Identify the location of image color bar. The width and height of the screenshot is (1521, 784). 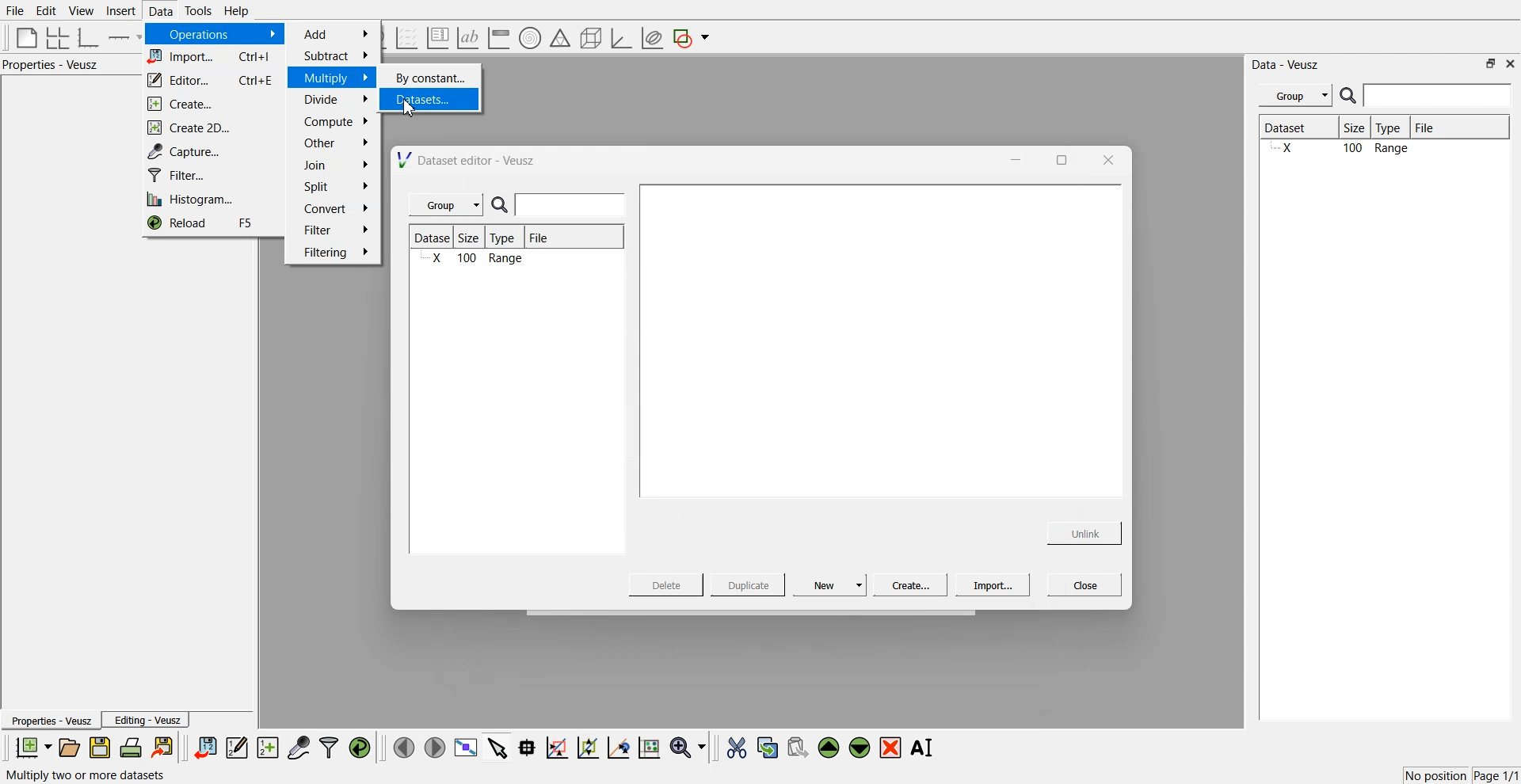
(498, 39).